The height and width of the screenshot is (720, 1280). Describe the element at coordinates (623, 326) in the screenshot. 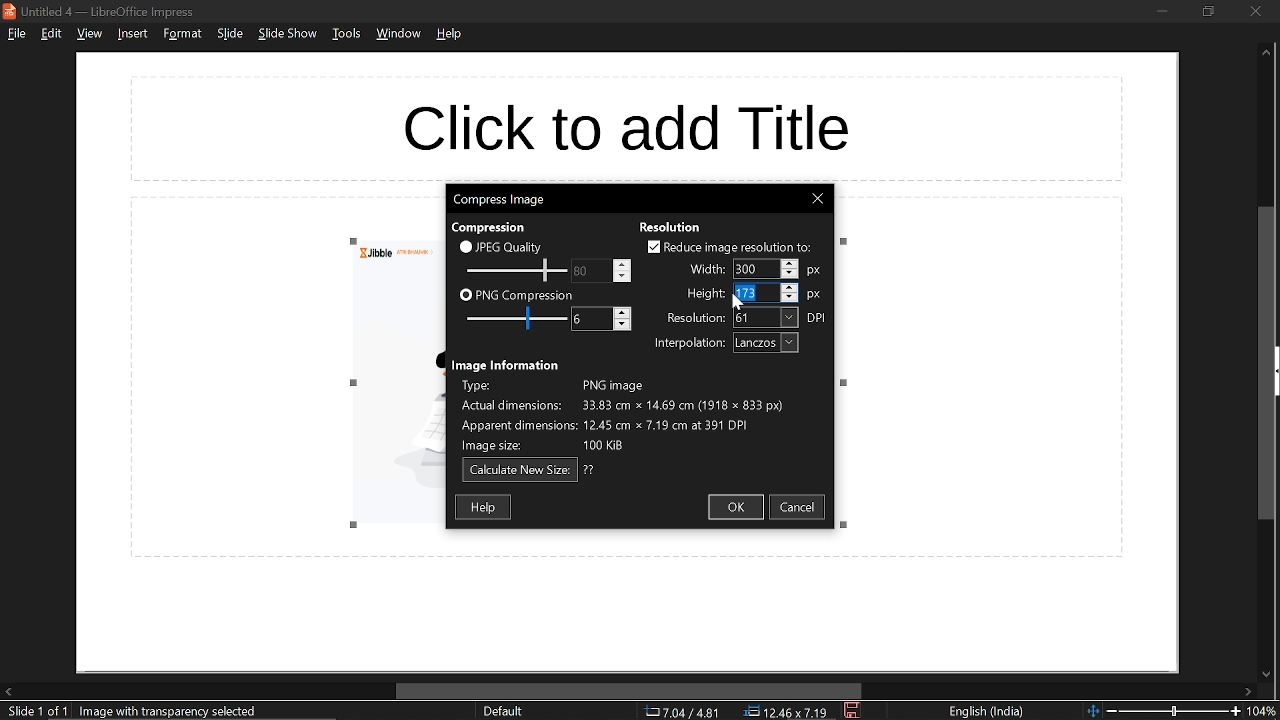

I see `Decrease ` at that location.